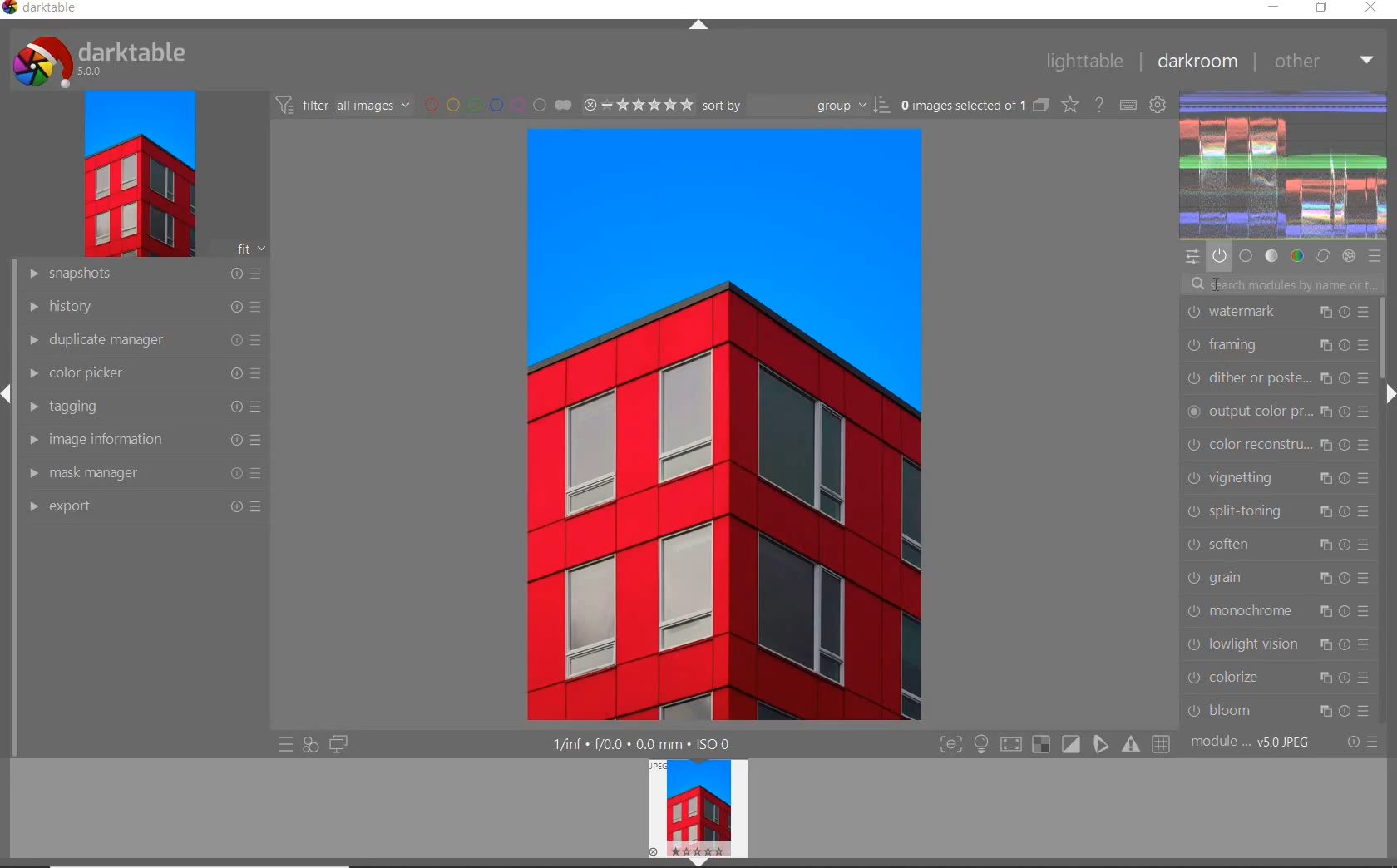 The width and height of the screenshot is (1397, 868). I want to click on snapshots, so click(141, 276).